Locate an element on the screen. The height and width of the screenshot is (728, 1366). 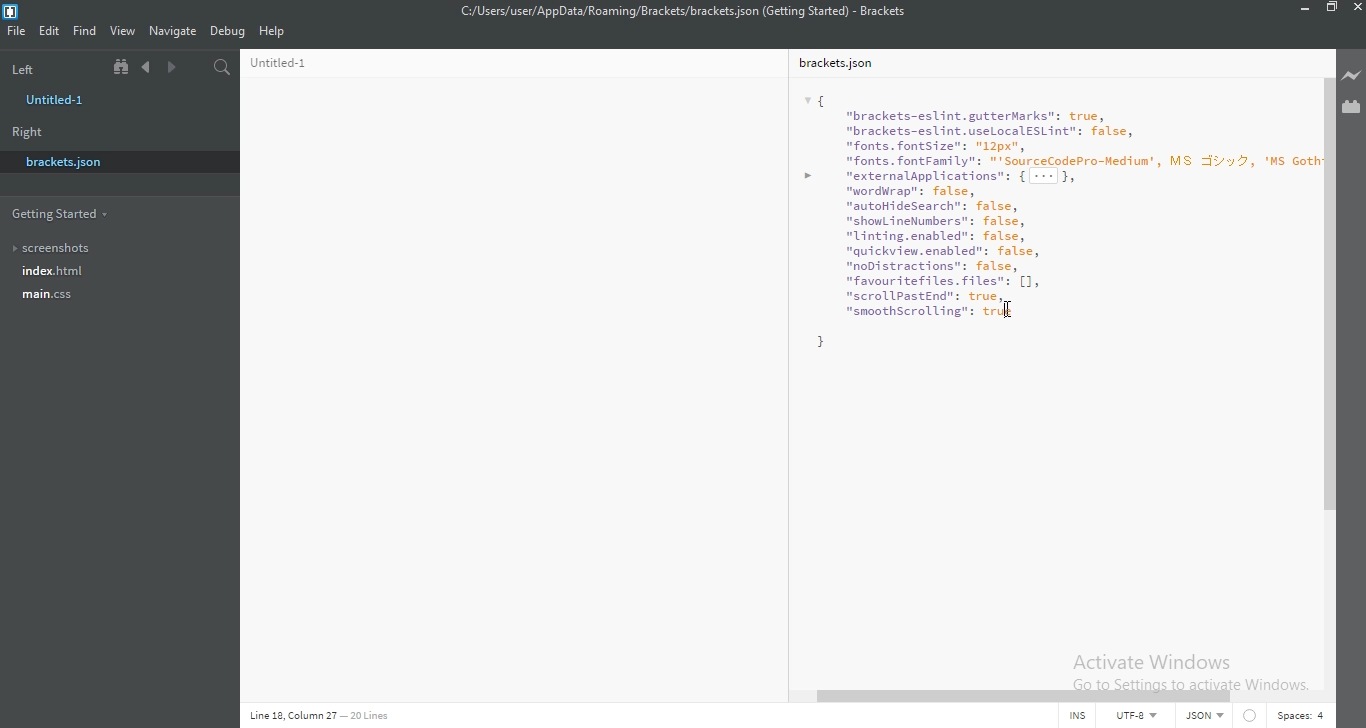
cursor is located at coordinates (1015, 308).